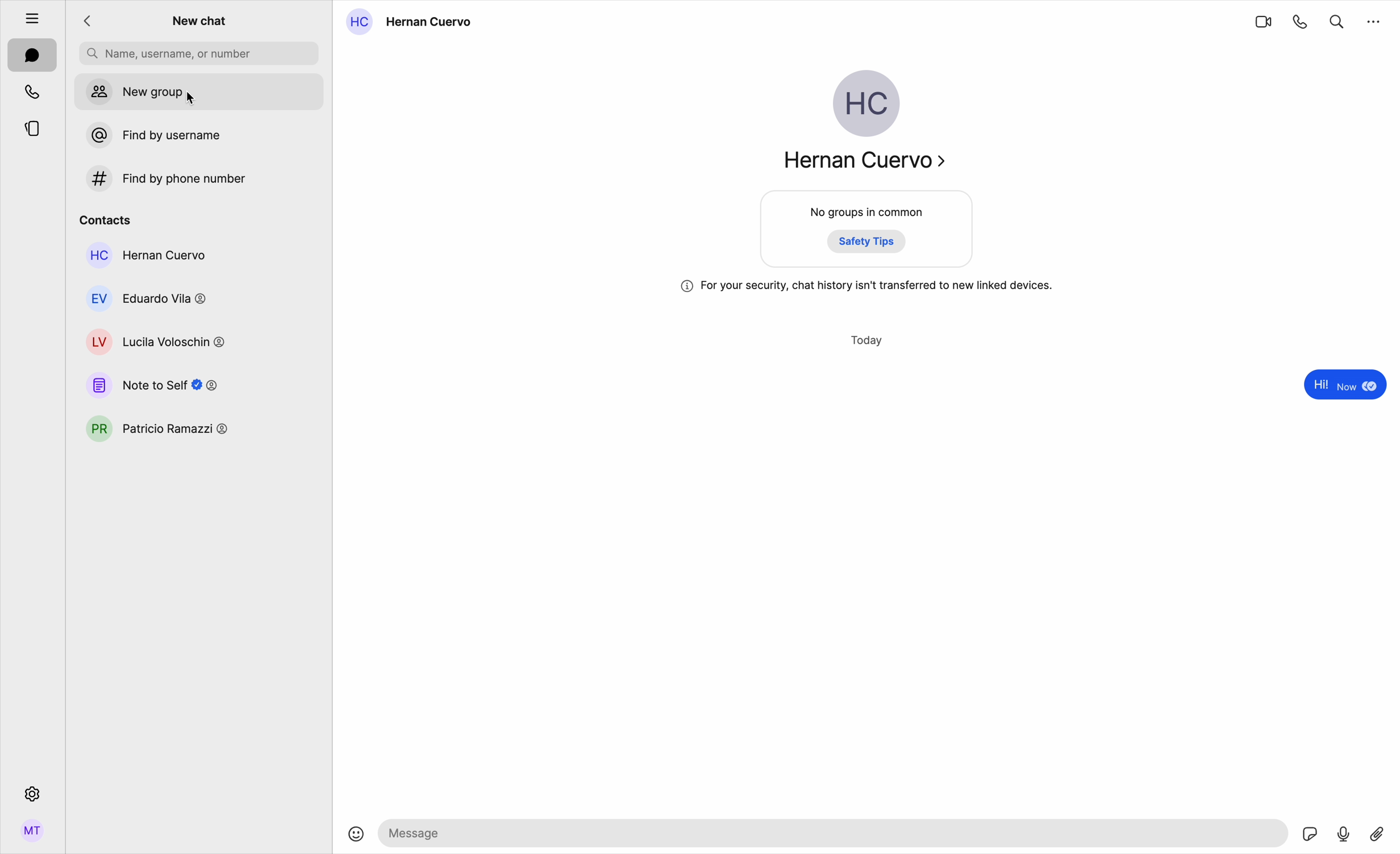 The height and width of the screenshot is (854, 1400). I want to click on sticker, so click(1311, 835).